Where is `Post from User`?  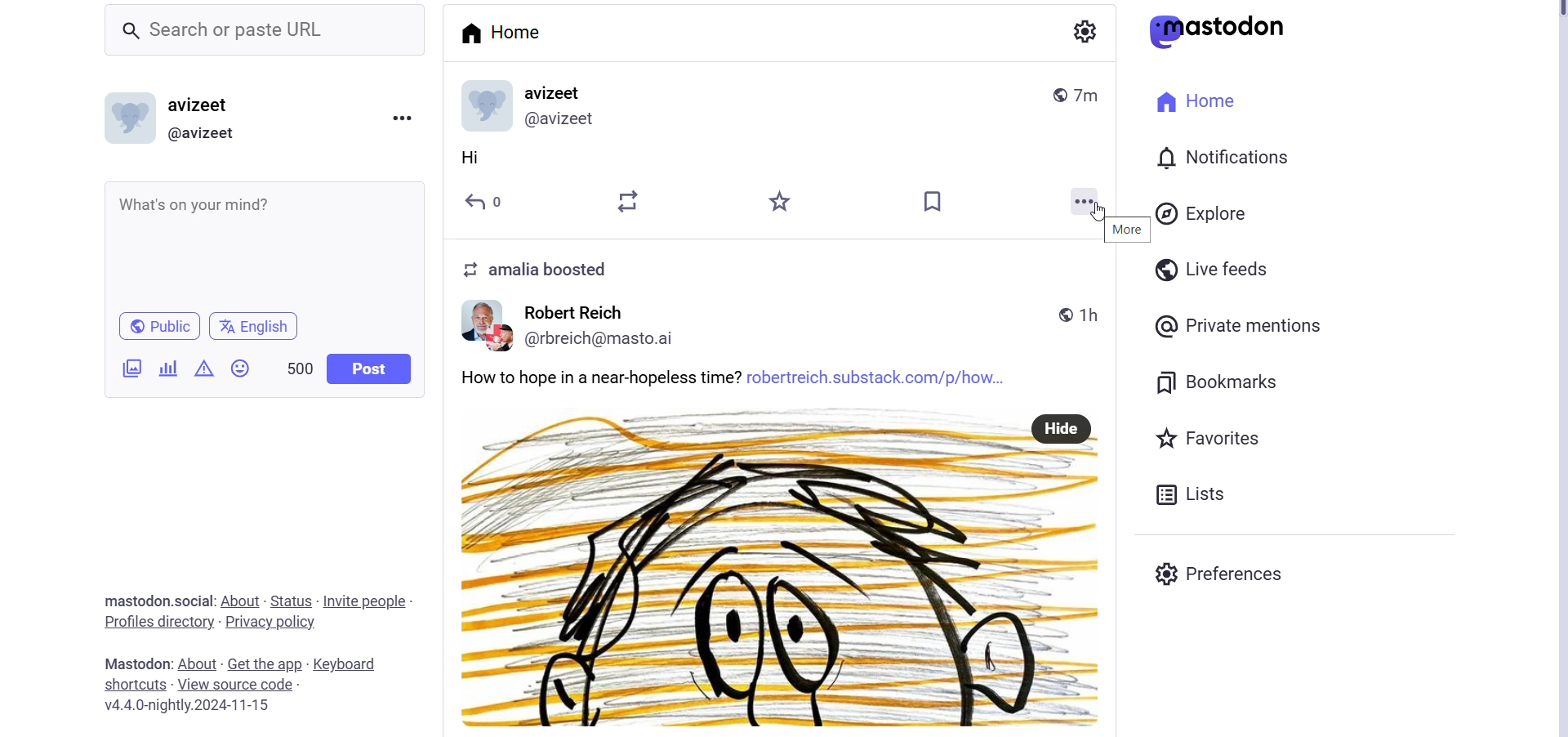 Post from User is located at coordinates (786, 552).